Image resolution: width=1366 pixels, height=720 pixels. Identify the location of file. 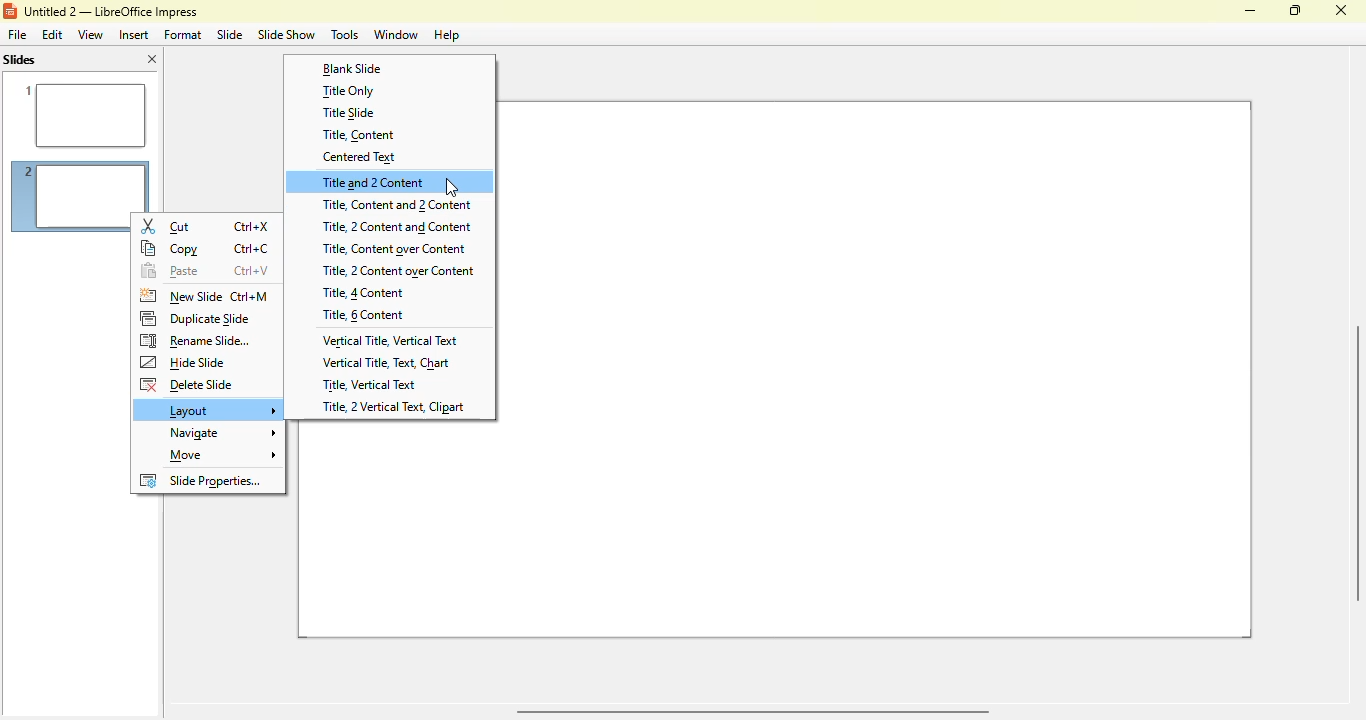
(16, 34).